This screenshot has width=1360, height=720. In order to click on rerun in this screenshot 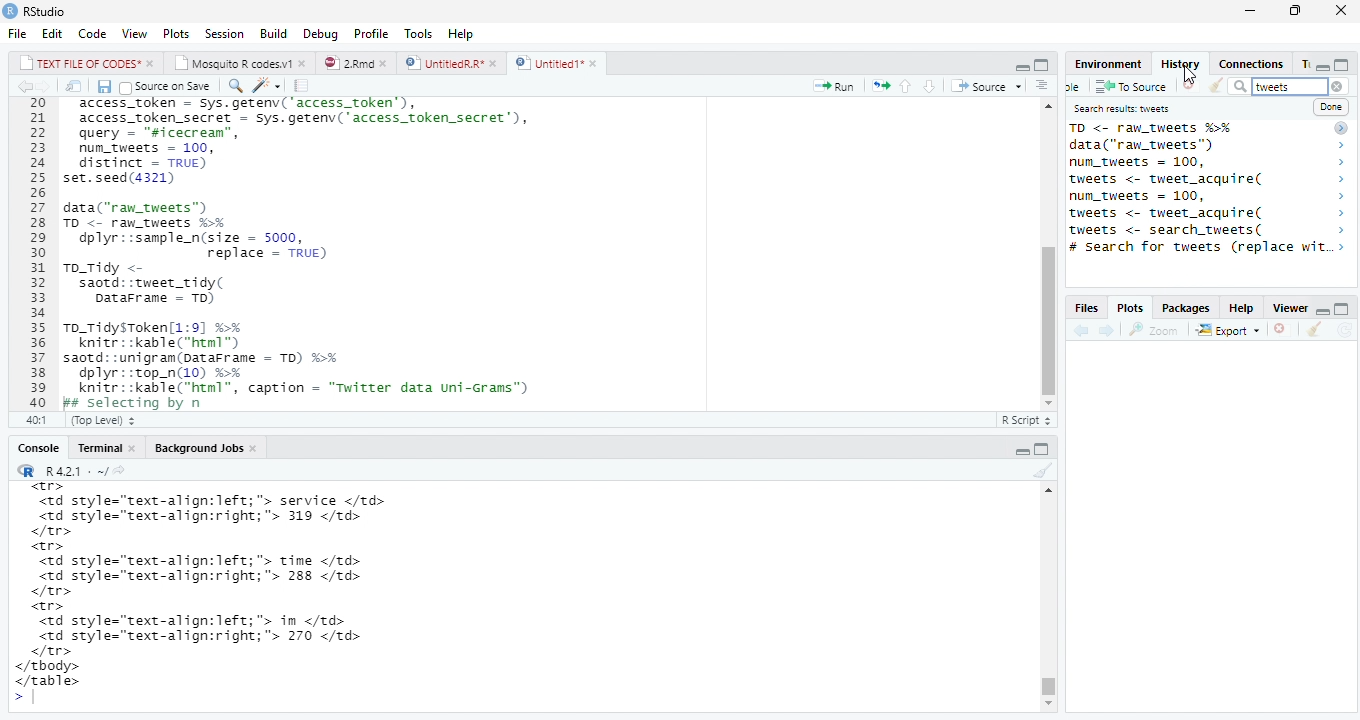, I will do `click(883, 84)`.